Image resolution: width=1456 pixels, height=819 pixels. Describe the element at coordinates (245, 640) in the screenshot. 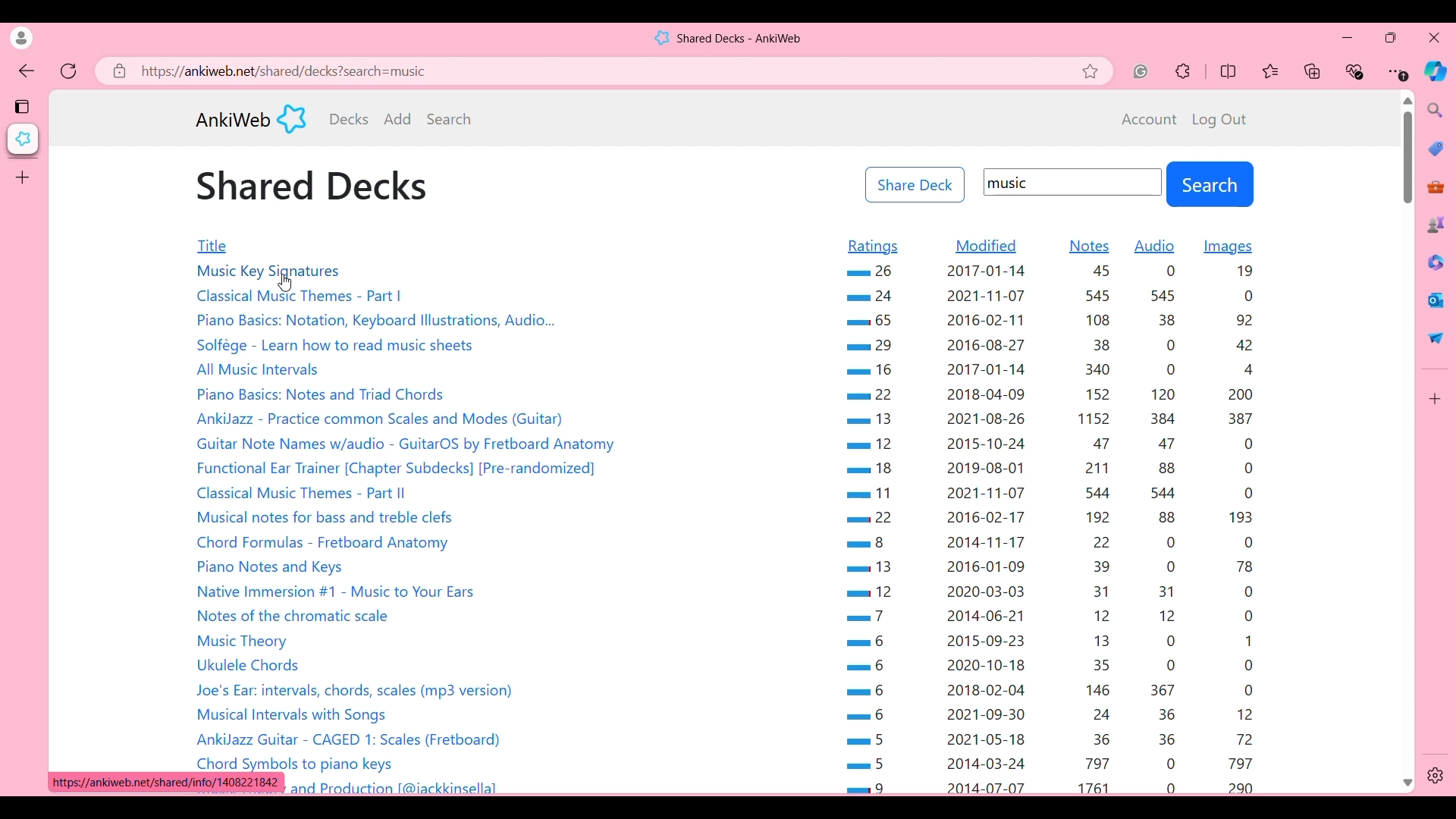

I see `Music Theory` at that location.